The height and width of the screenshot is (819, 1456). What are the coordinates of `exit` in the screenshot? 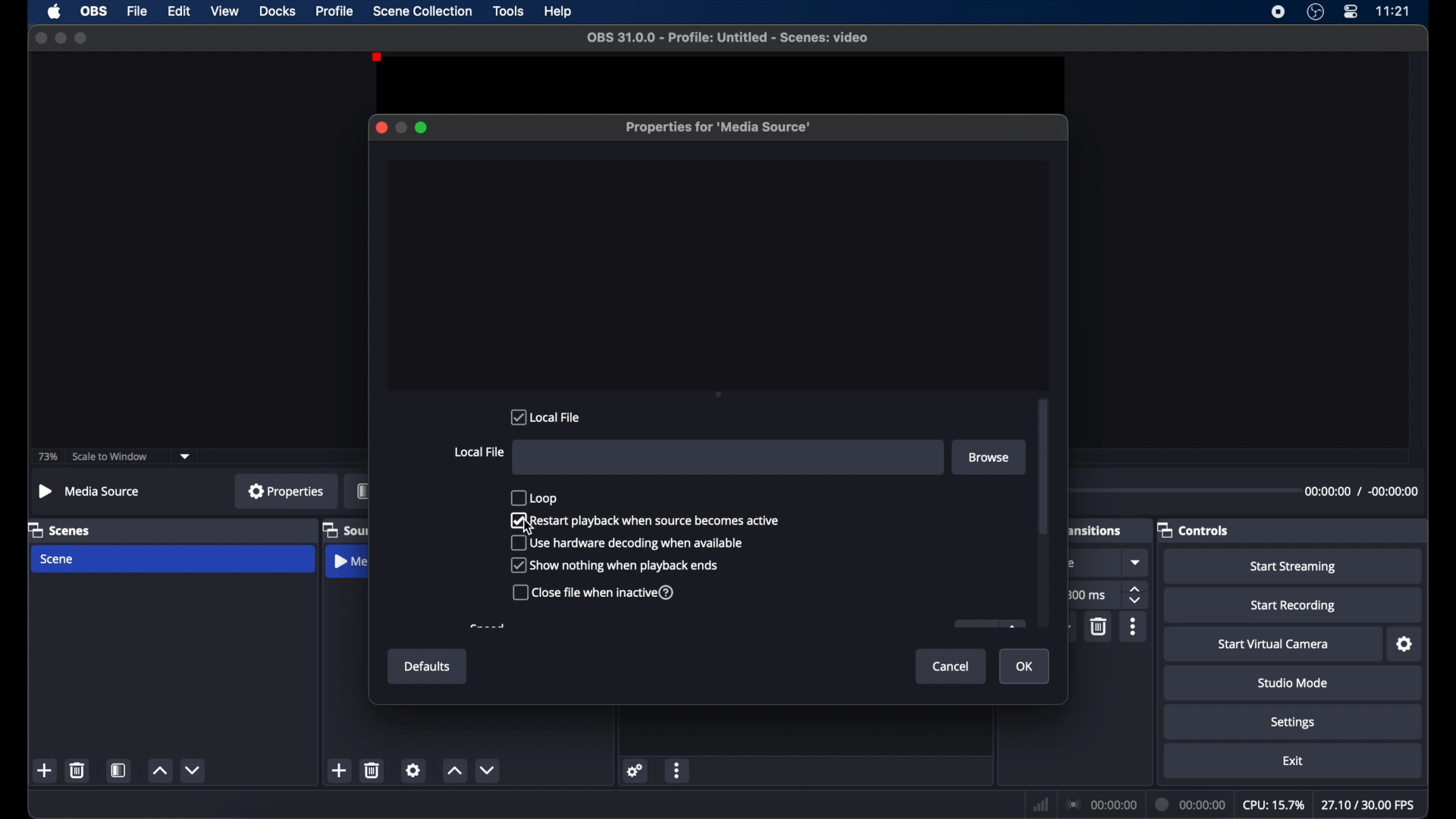 It's located at (1293, 761).